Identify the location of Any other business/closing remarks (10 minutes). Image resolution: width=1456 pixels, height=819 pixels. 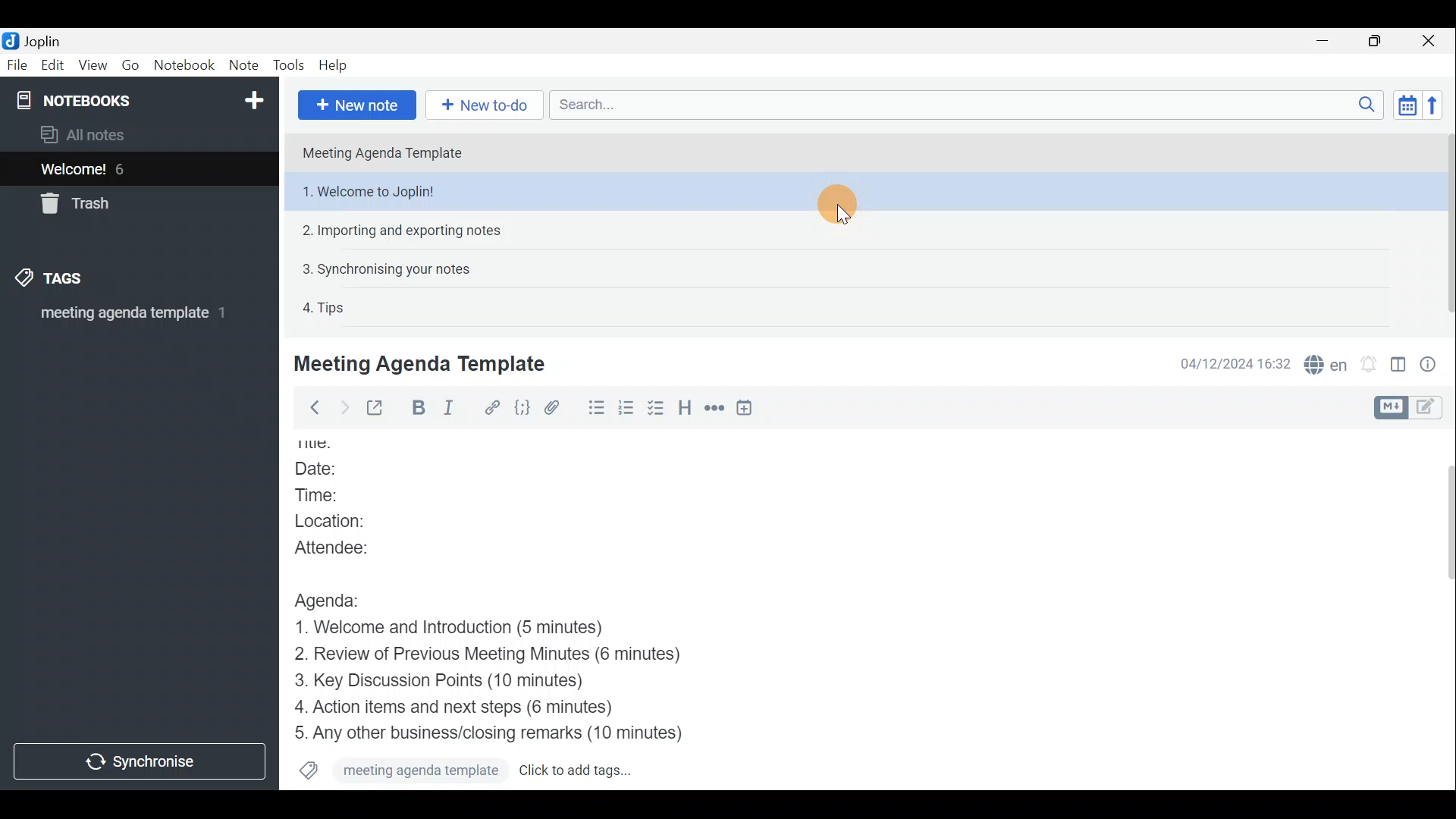
(494, 732).